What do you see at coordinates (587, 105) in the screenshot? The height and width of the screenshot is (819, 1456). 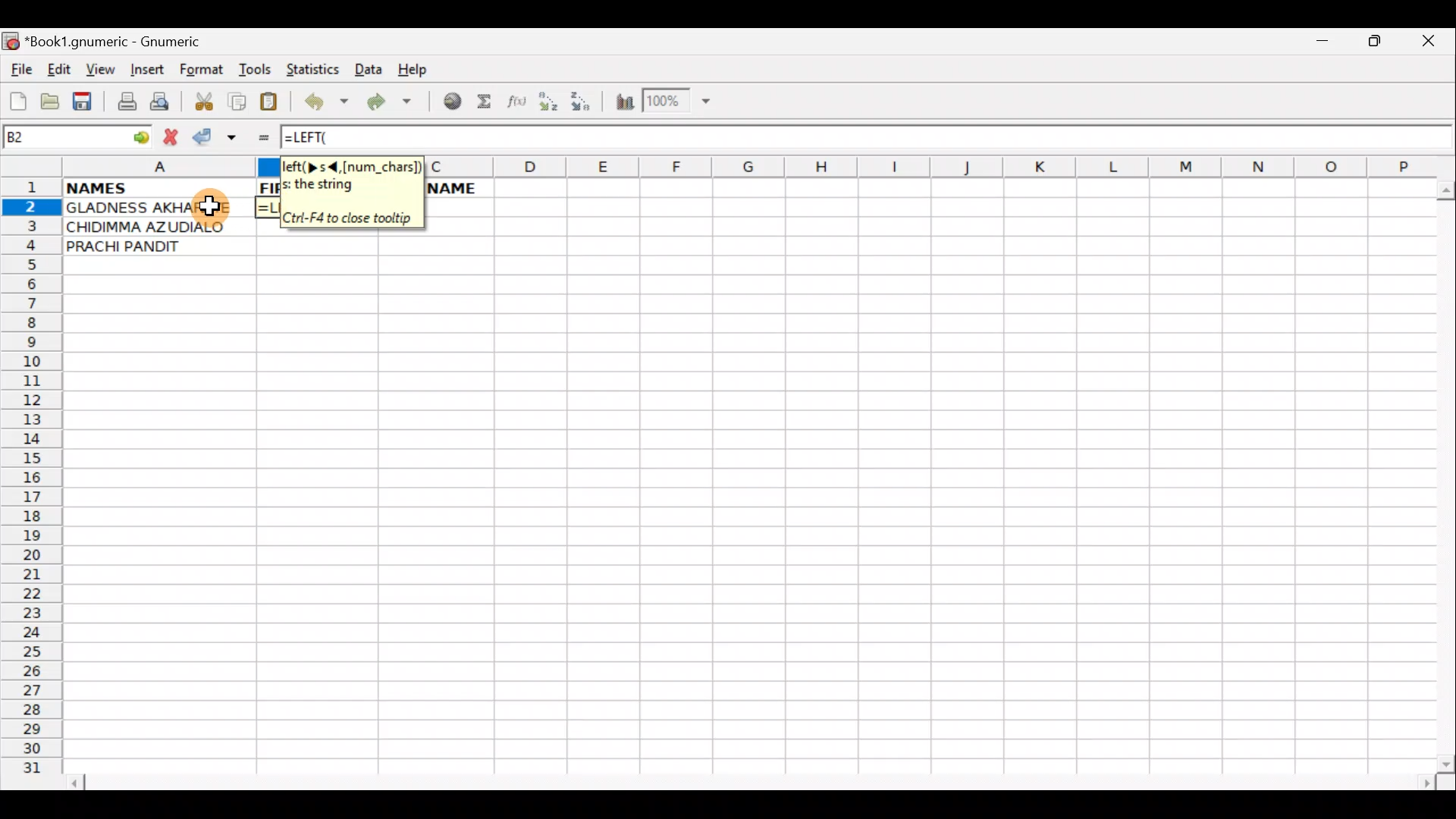 I see `Sort Descending order` at bounding box center [587, 105].